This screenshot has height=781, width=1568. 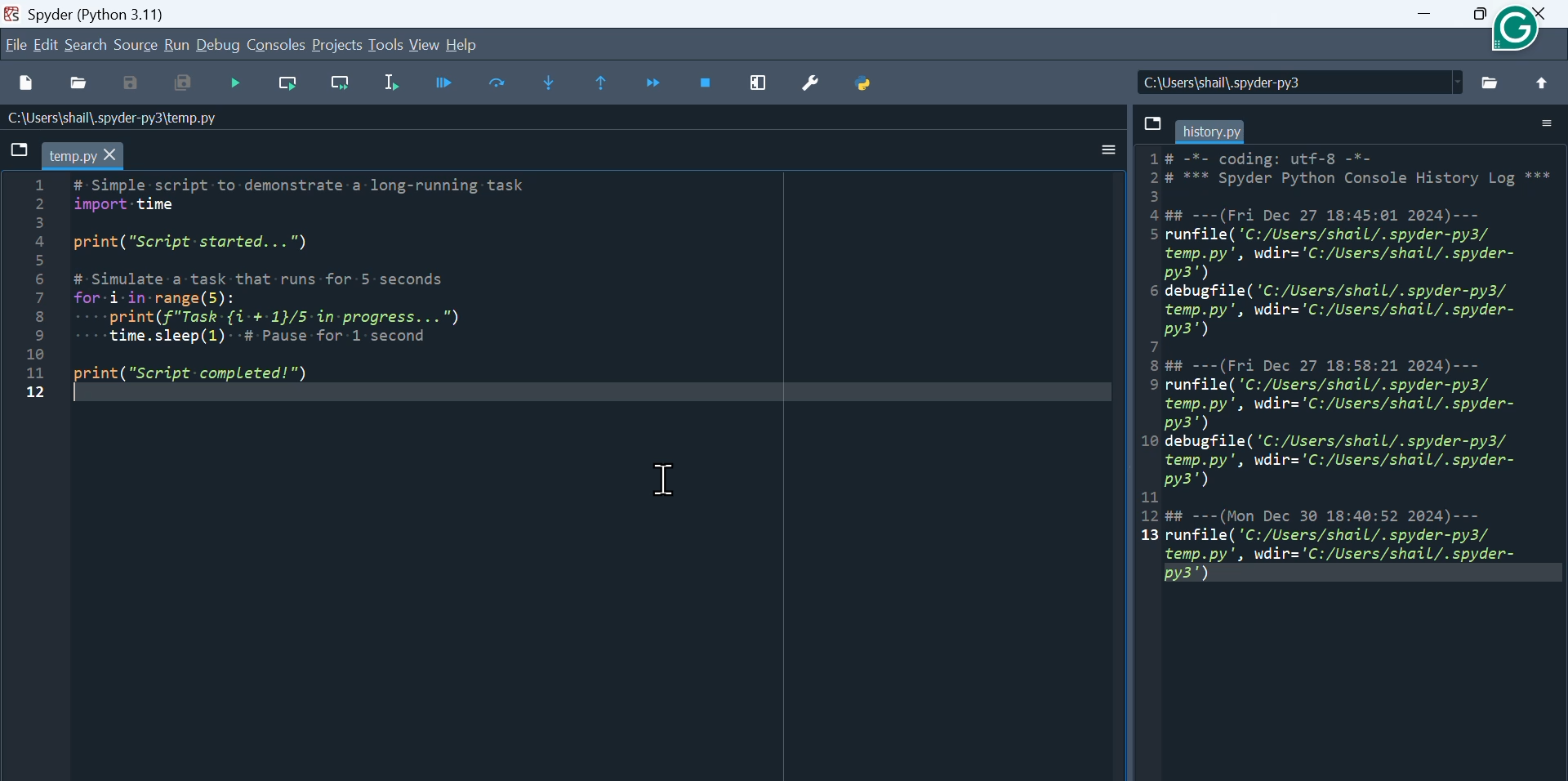 What do you see at coordinates (19, 147) in the screenshot?
I see `save file` at bounding box center [19, 147].